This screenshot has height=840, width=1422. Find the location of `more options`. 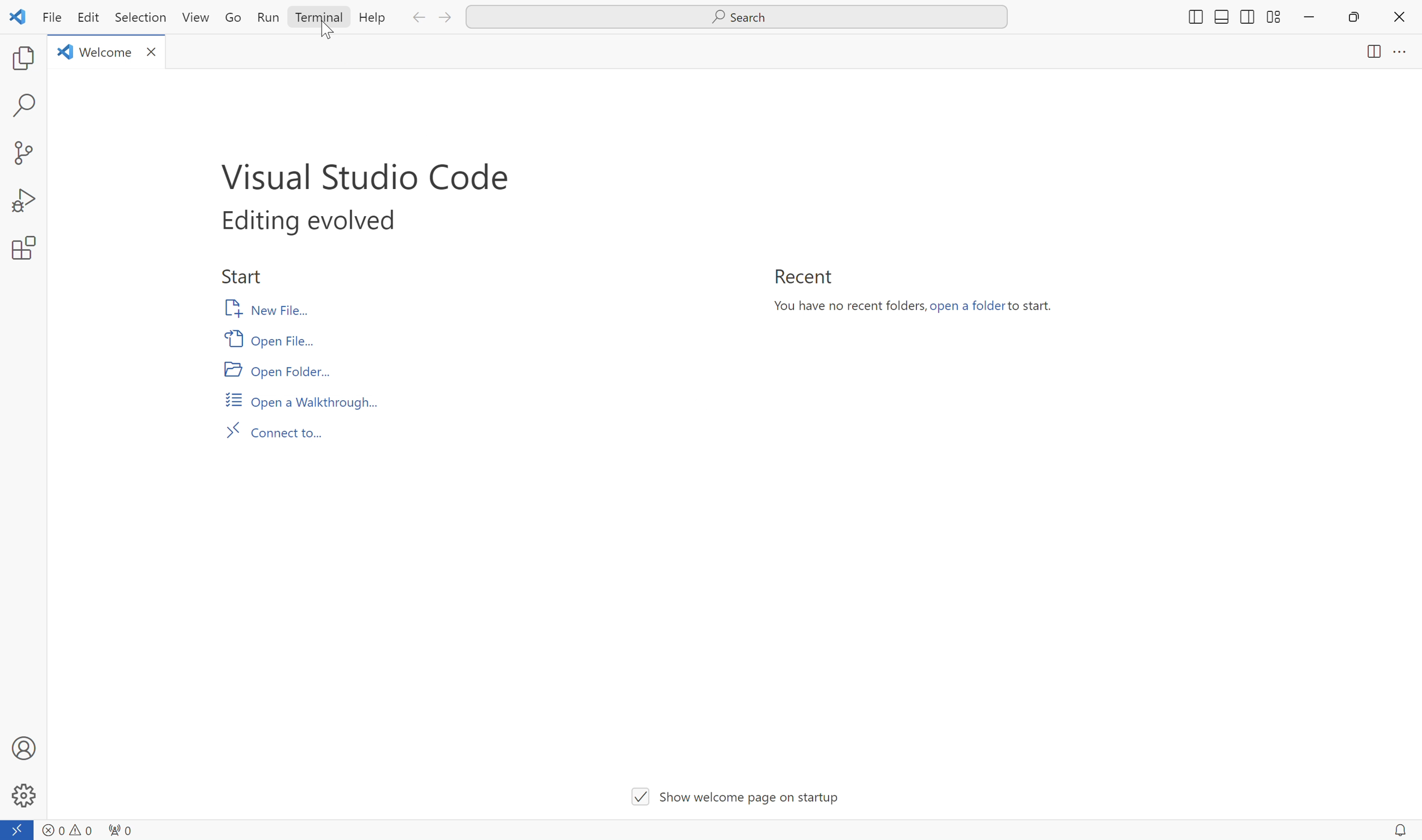

more options is located at coordinates (1400, 53).